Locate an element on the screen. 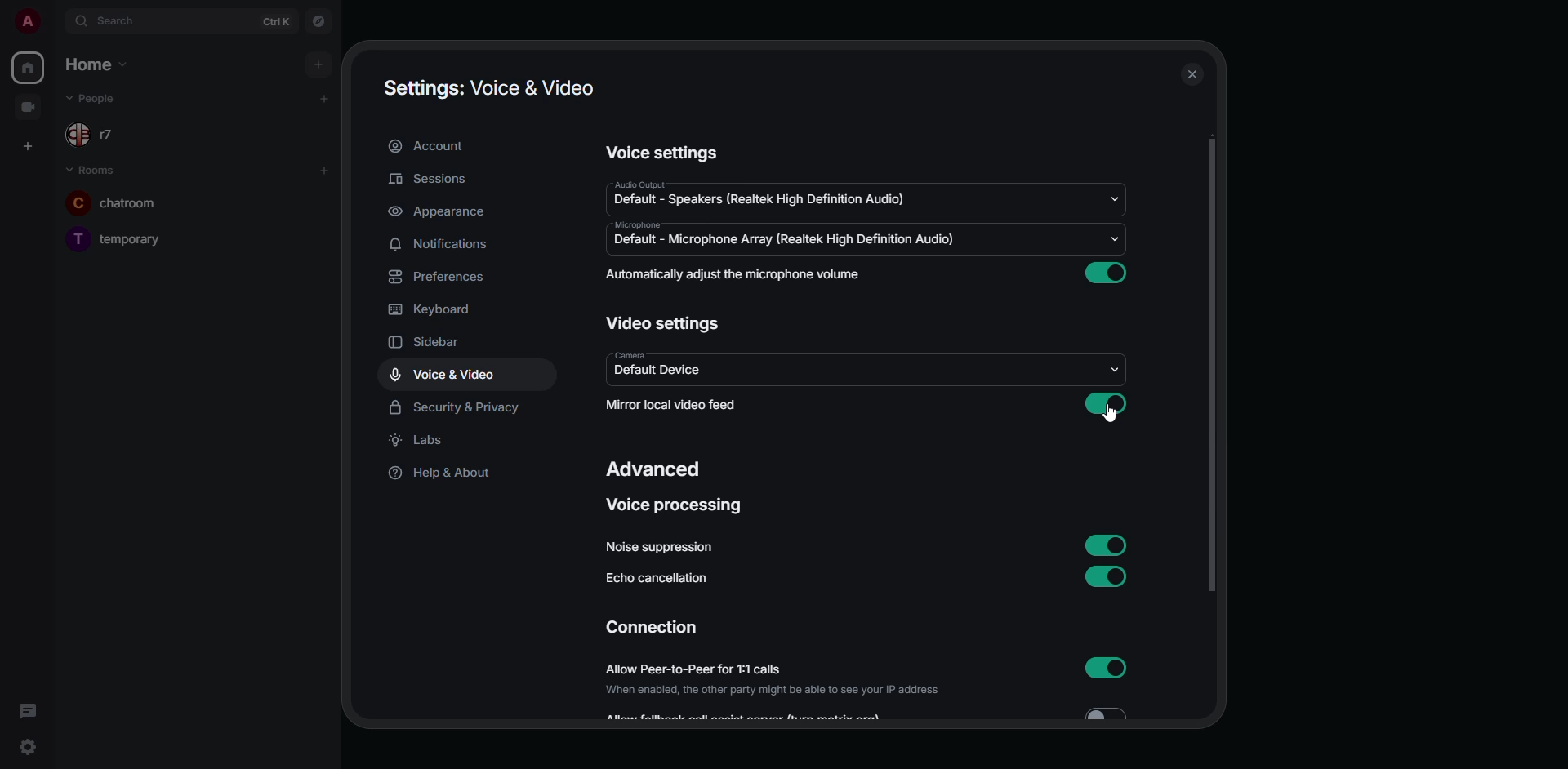 The width and height of the screenshot is (1568, 769). default is located at coordinates (782, 240).